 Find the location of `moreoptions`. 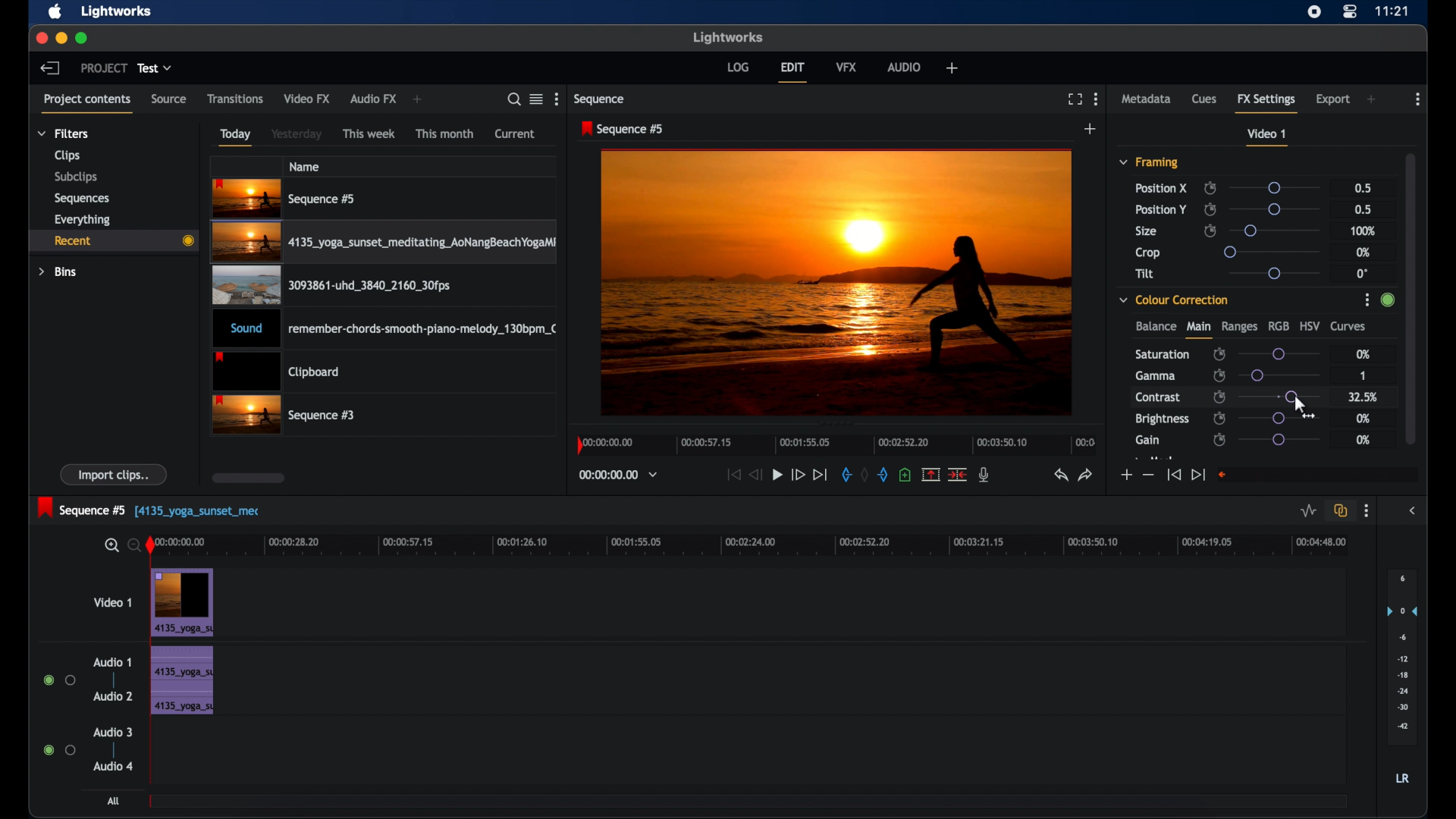

moreoptions is located at coordinates (1097, 98).